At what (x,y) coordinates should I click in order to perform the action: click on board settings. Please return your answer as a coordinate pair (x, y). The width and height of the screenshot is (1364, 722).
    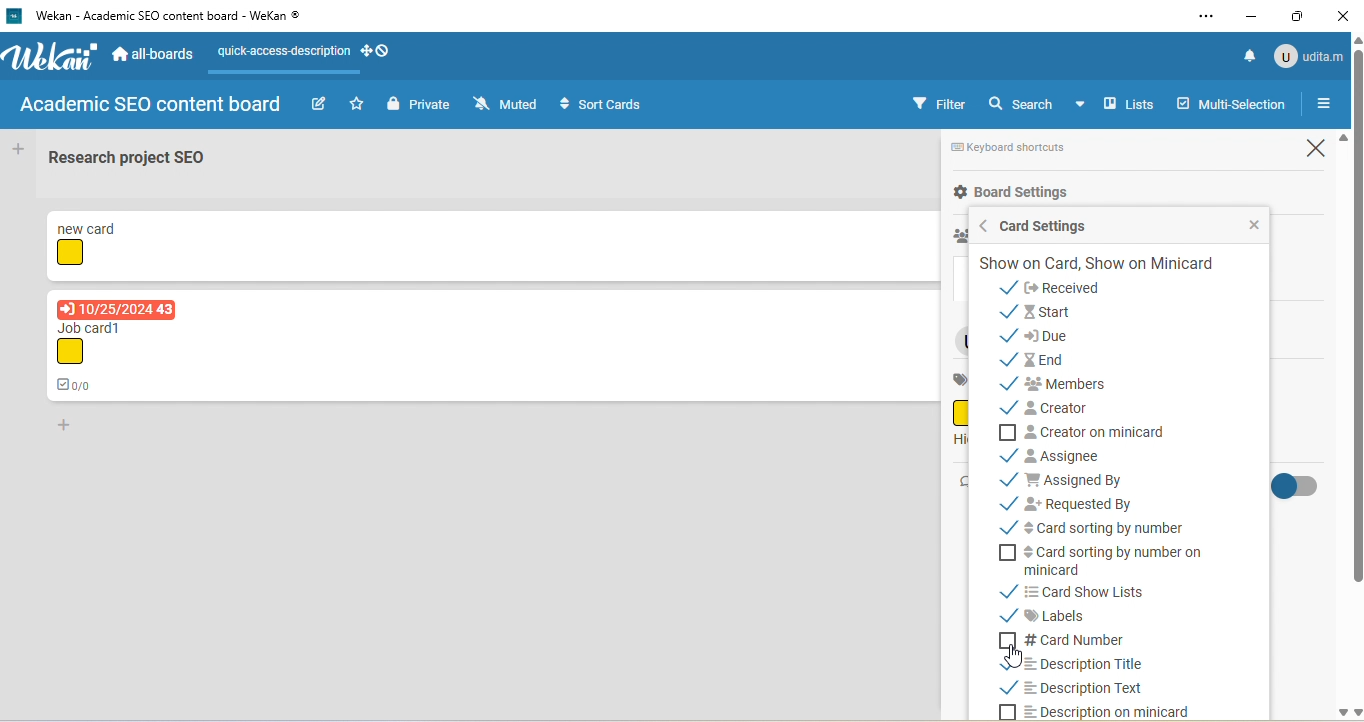
    Looking at the image, I should click on (1011, 193).